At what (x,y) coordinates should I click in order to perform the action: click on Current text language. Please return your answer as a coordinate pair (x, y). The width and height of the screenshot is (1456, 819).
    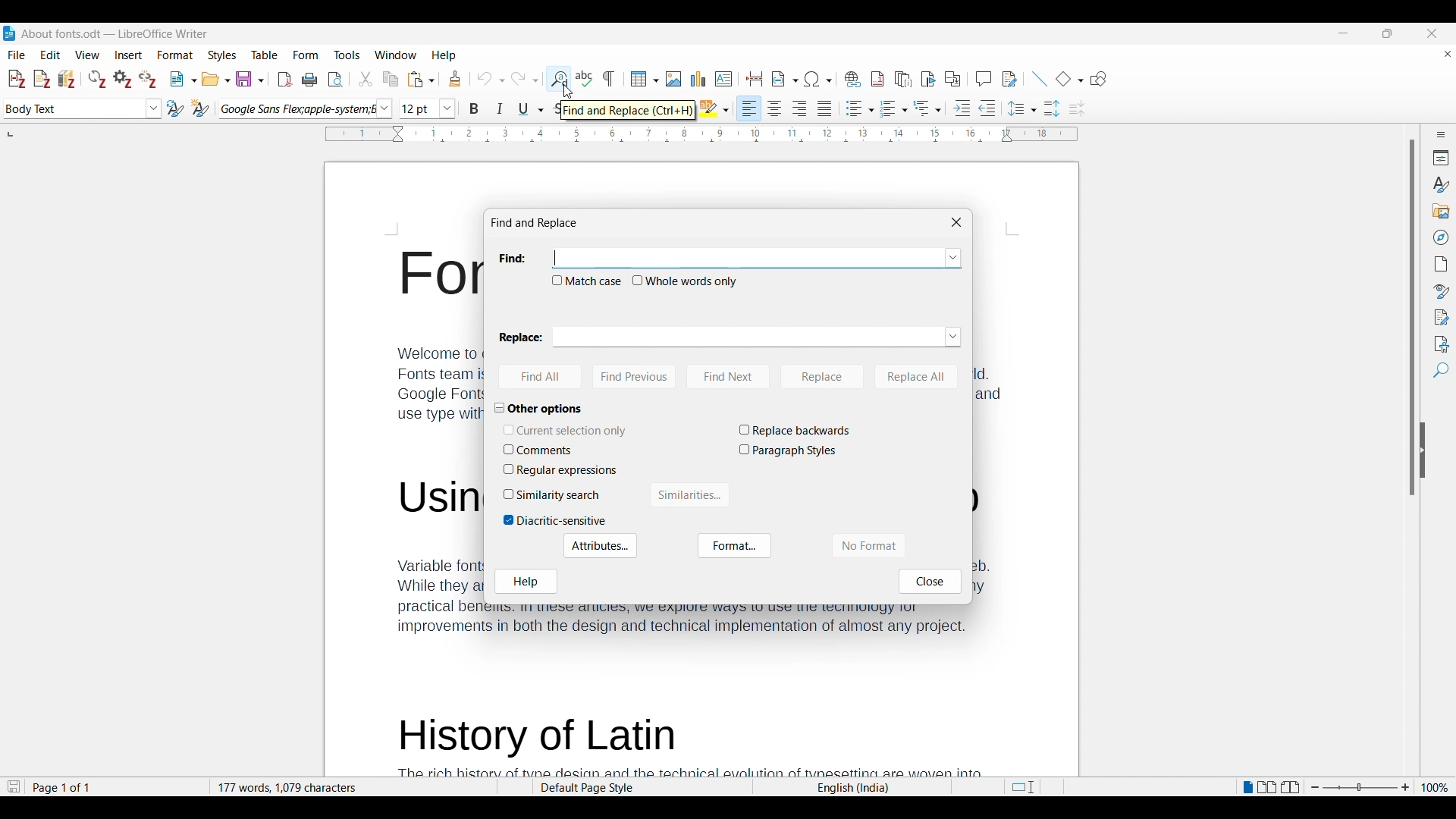
    Looking at the image, I should click on (852, 788).